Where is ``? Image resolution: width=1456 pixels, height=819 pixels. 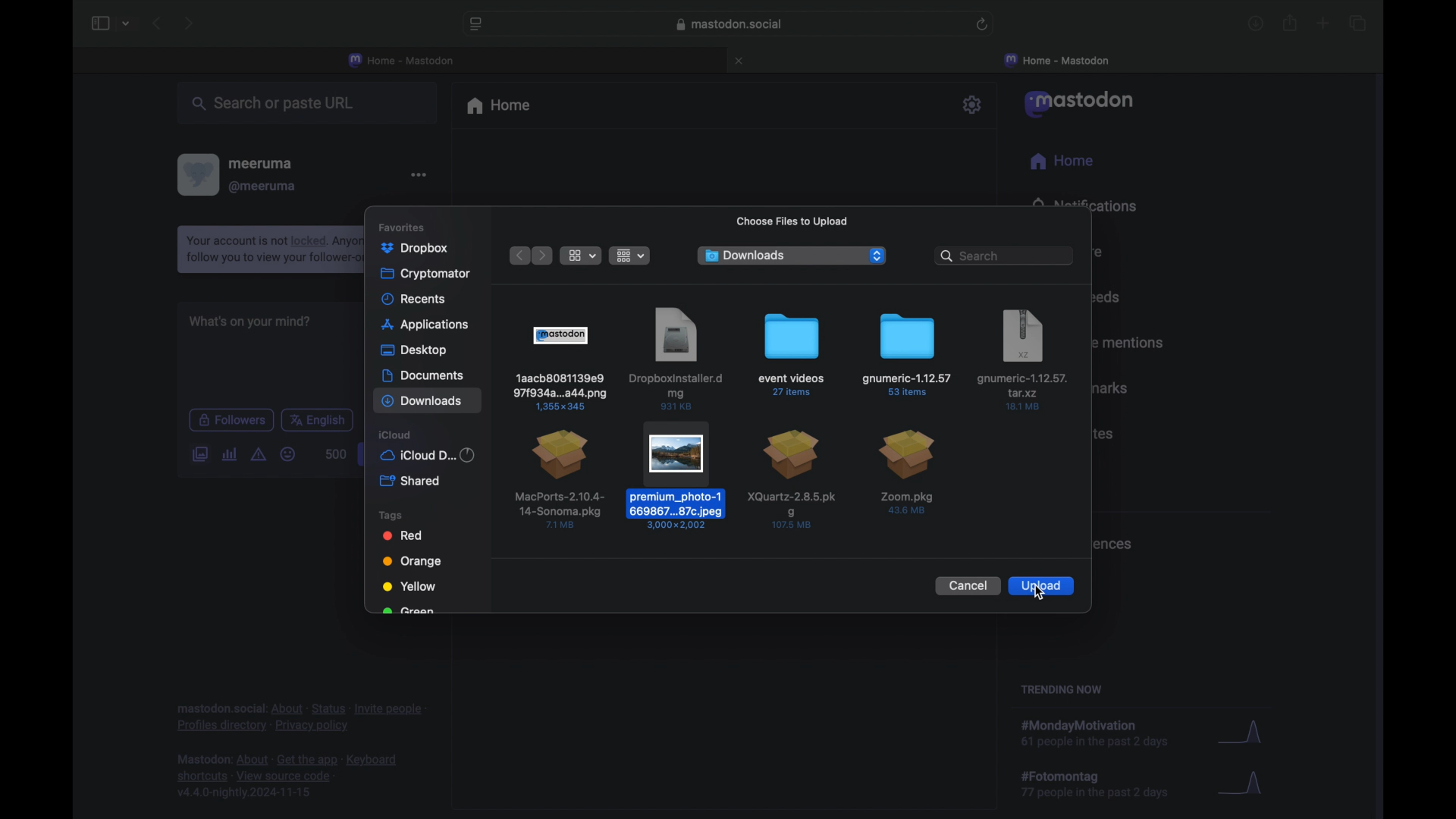
 is located at coordinates (424, 275).